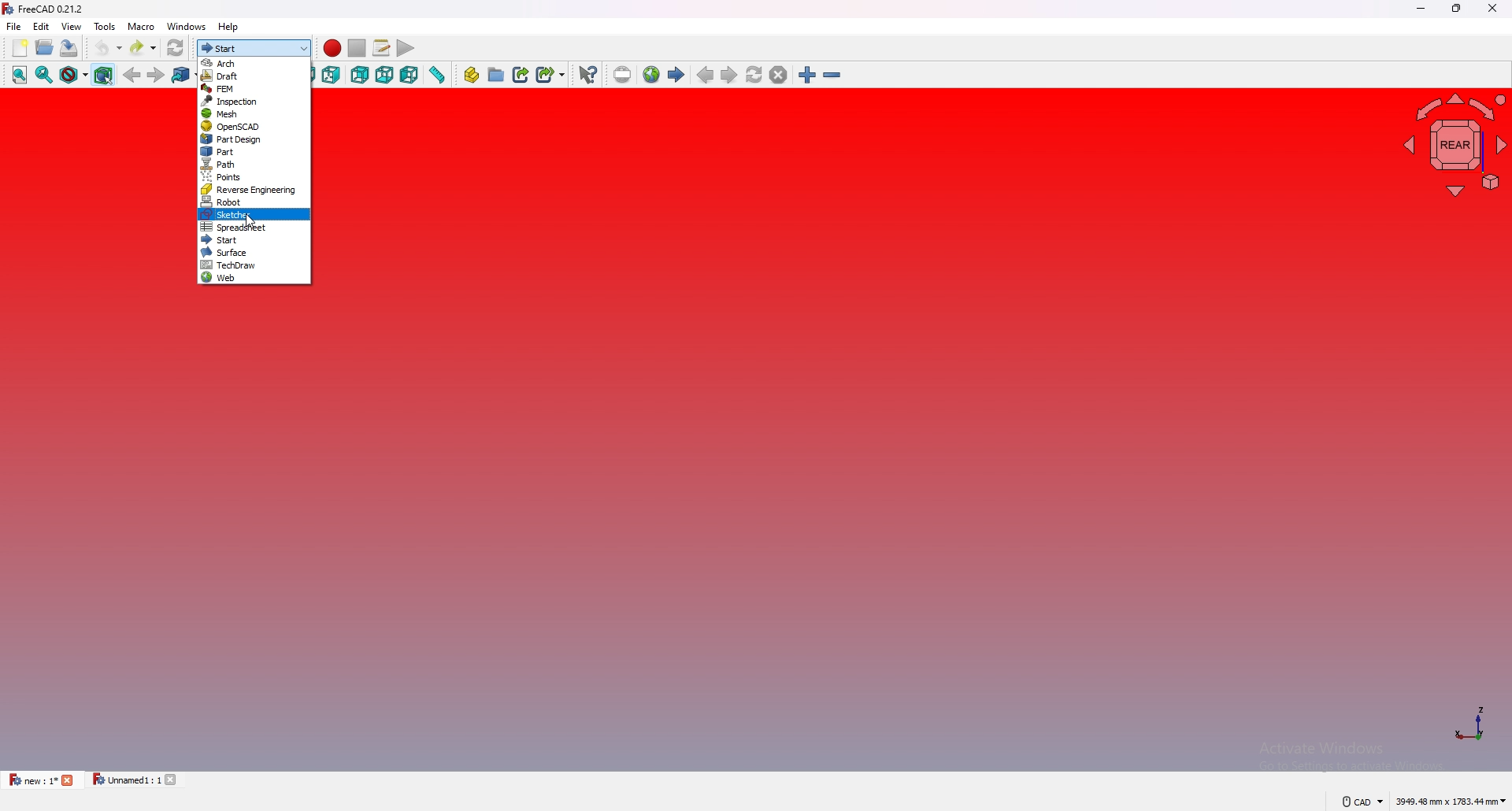  What do you see at coordinates (808, 74) in the screenshot?
I see `zoom in` at bounding box center [808, 74].